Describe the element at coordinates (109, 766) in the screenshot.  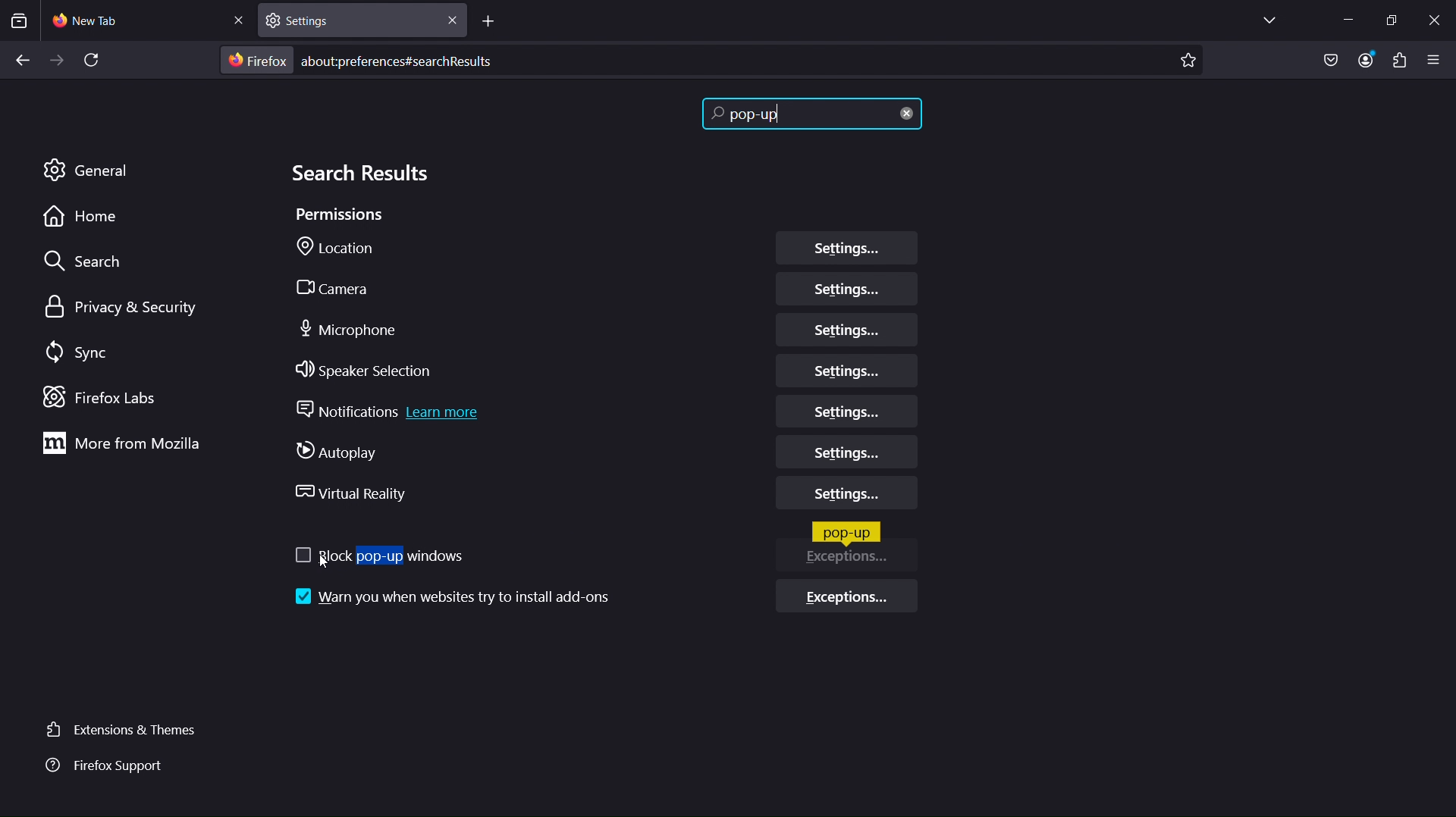
I see `Firefox Support` at that location.